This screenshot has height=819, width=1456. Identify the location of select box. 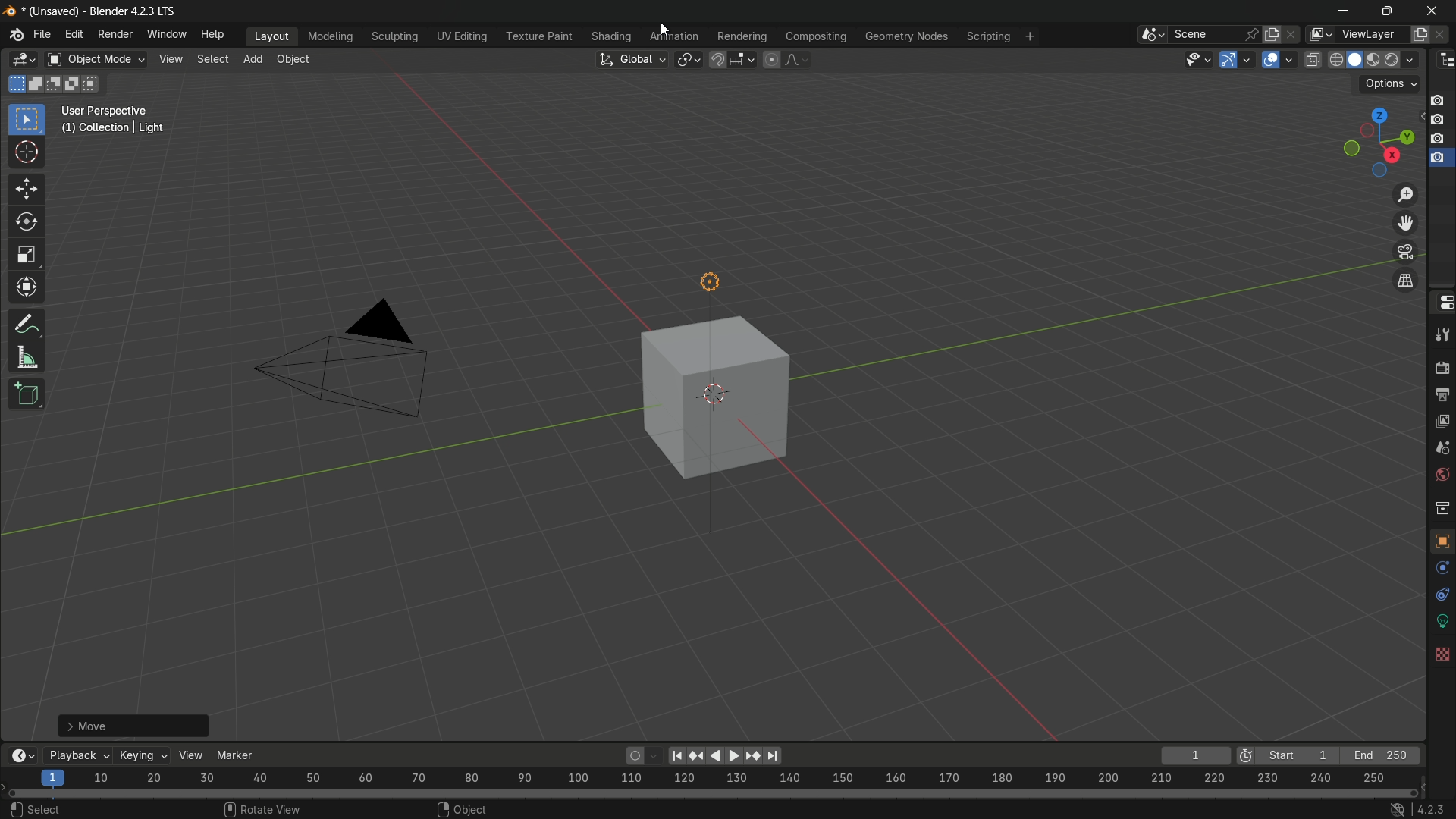
(27, 118).